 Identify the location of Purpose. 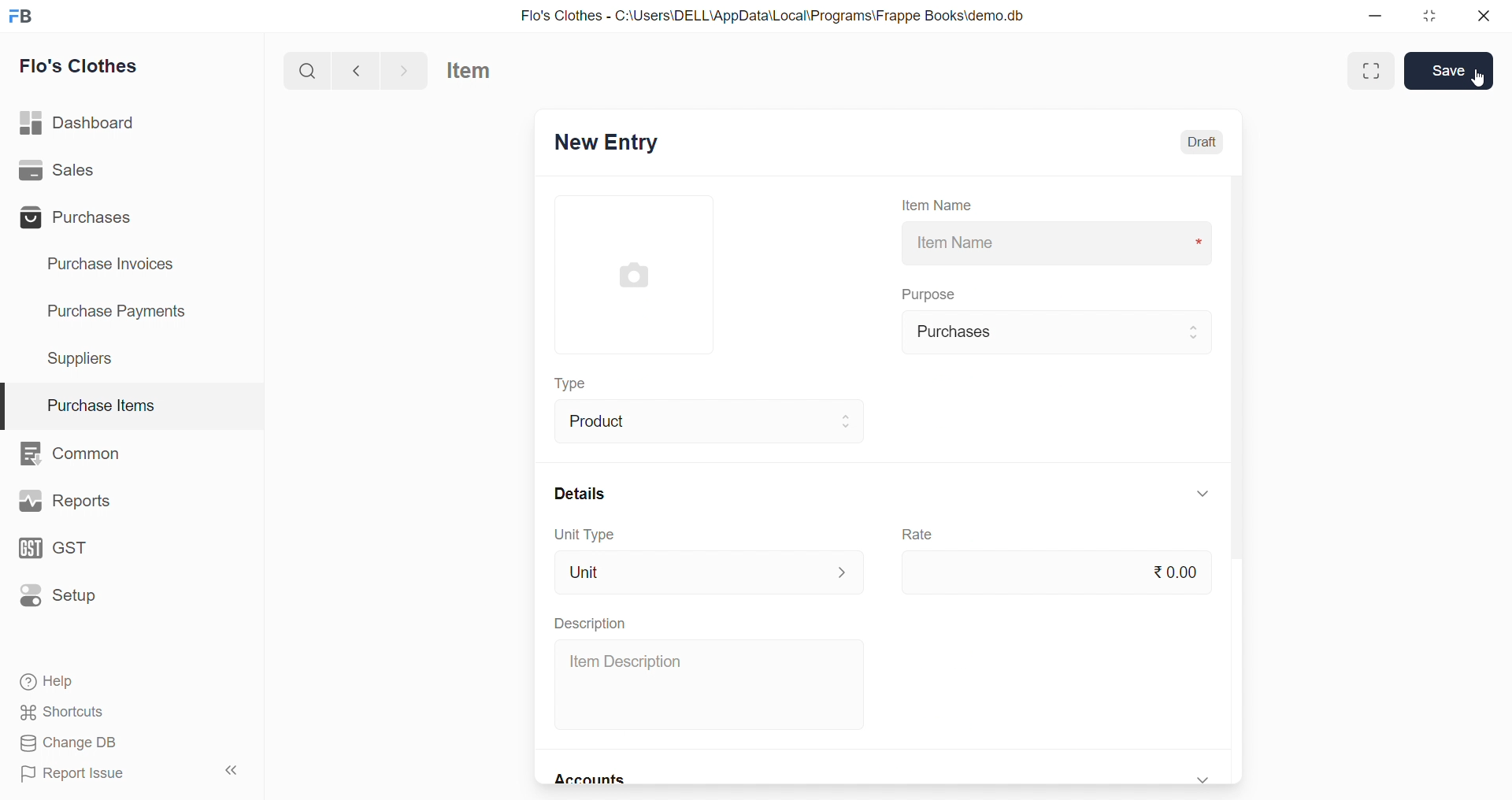
(932, 292).